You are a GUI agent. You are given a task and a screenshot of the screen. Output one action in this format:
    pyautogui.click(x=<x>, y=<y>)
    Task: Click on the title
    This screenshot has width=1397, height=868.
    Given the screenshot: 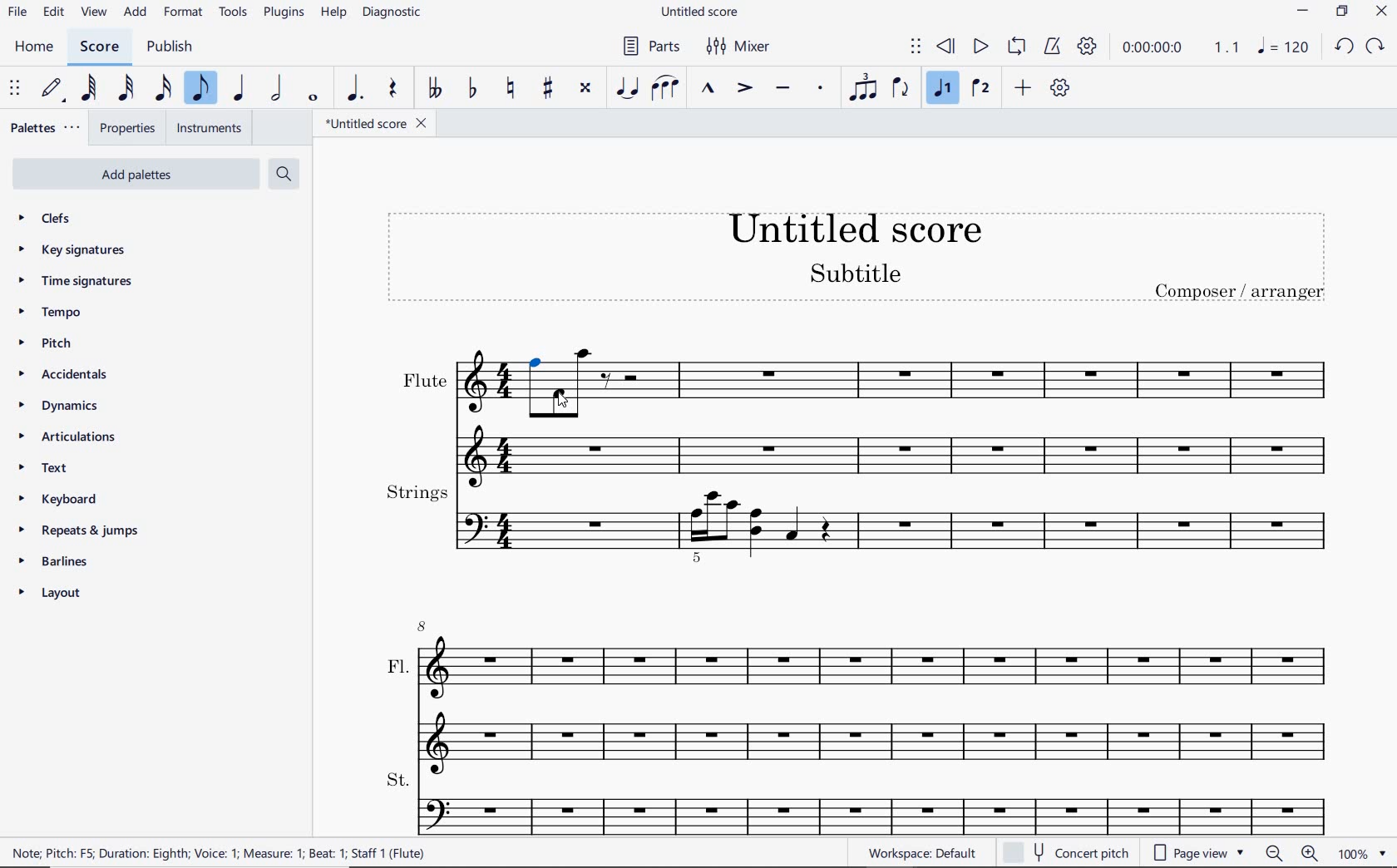 What is the action you would take?
    pyautogui.click(x=861, y=263)
    